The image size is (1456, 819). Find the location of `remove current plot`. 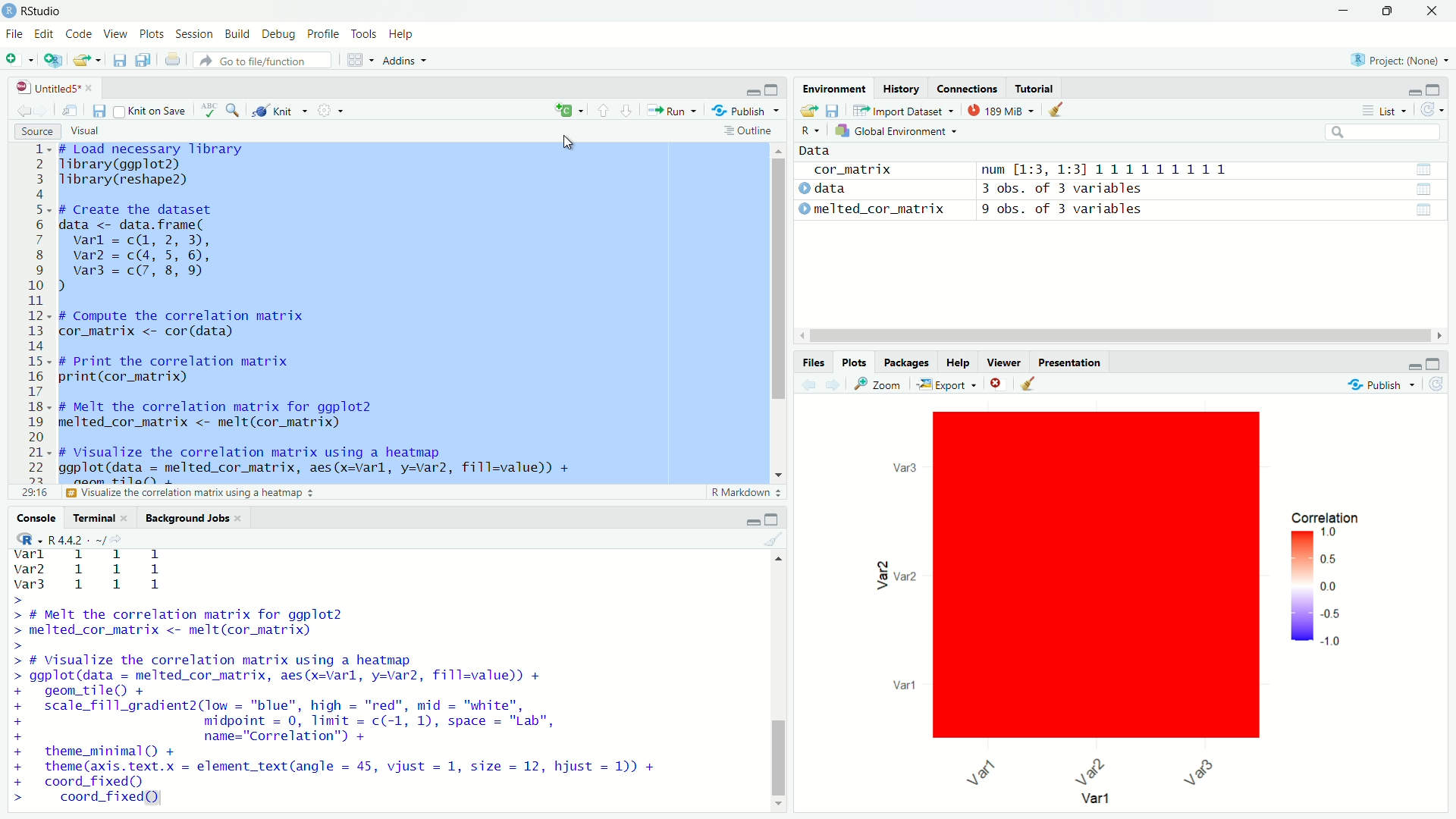

remove current plot is located at coordinates (998, 383).